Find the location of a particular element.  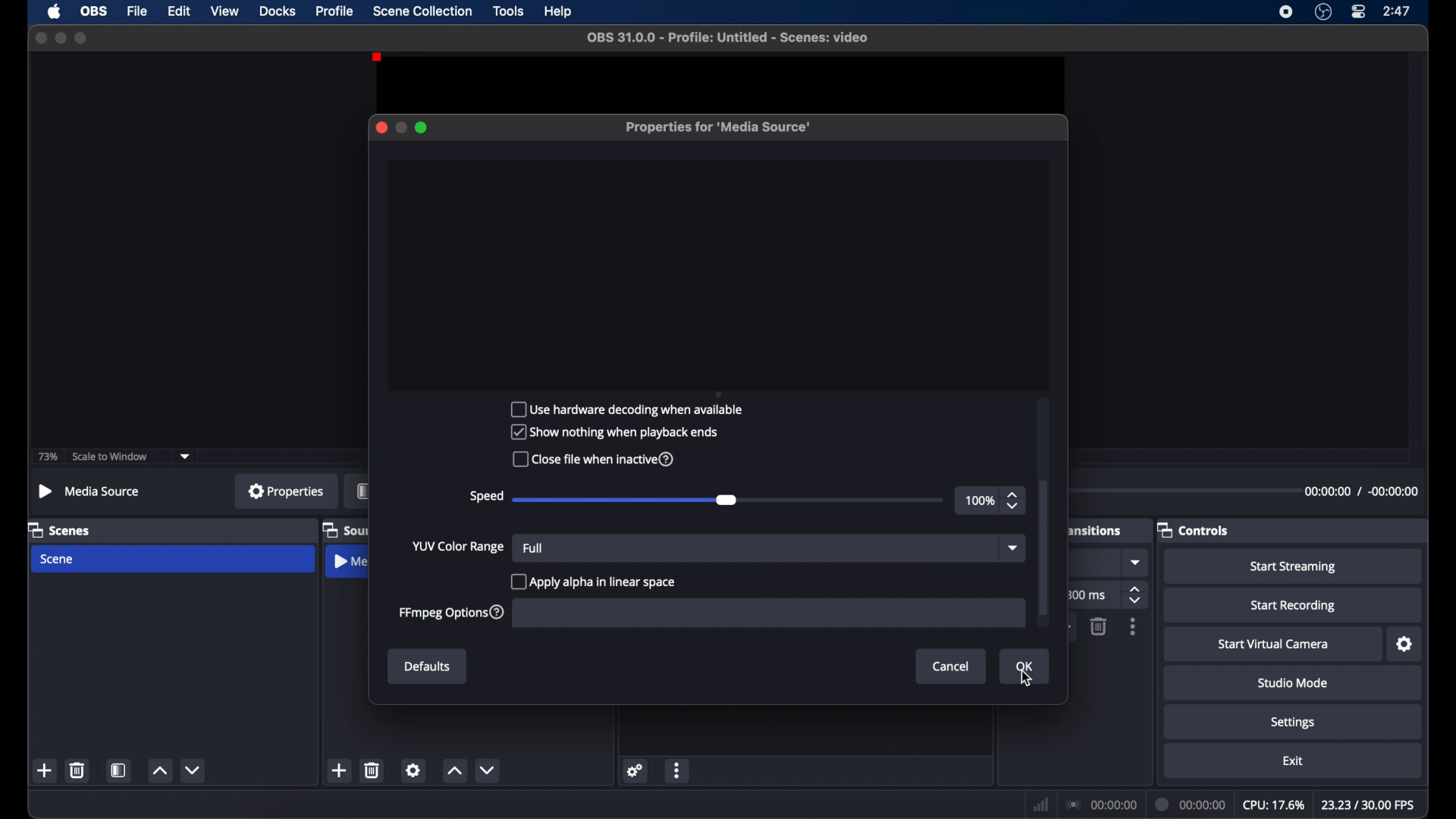

add is located at coordinates (338, 770).